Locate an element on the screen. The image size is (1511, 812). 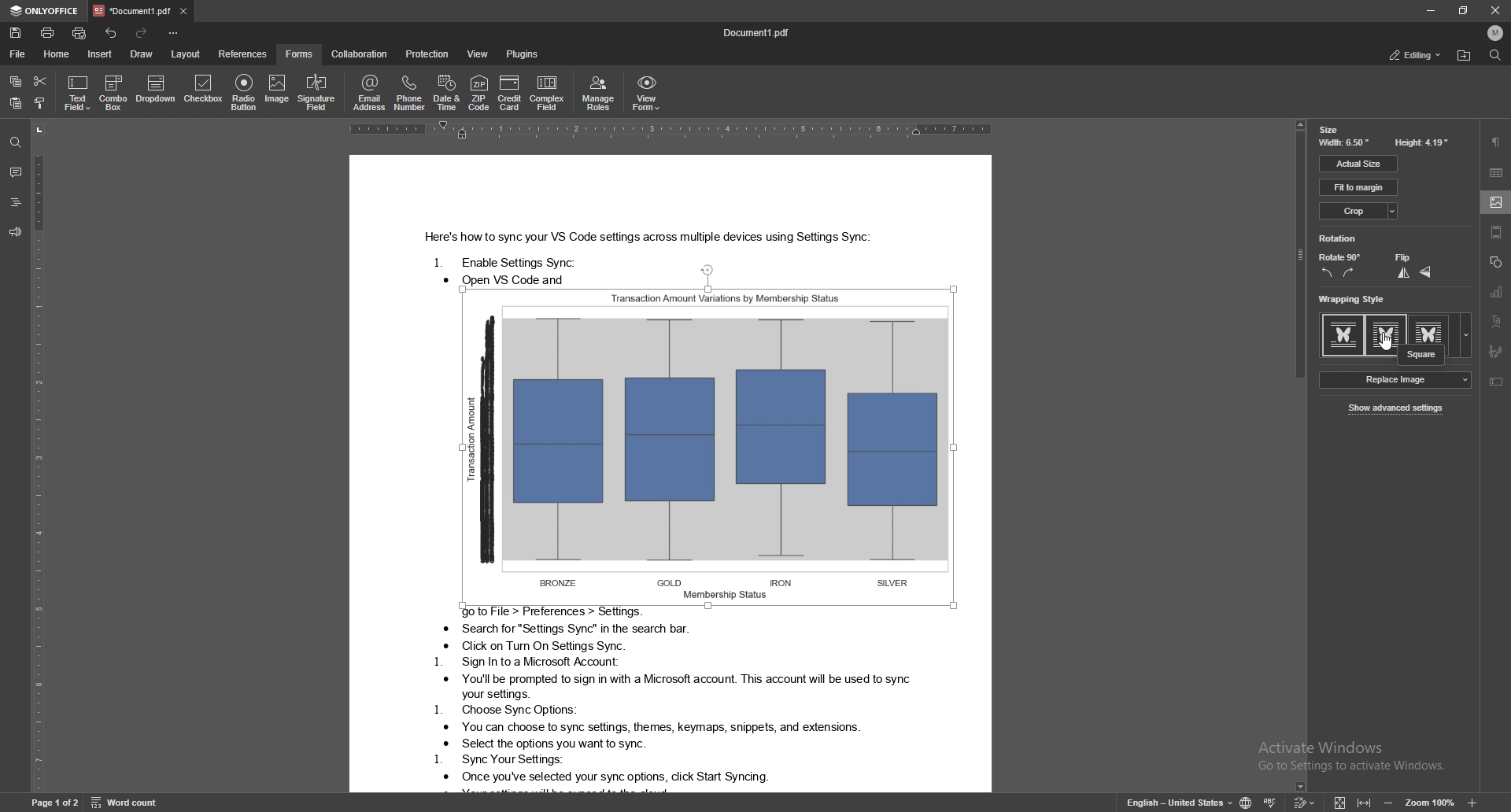
draw is located at coordinates (143, 54).